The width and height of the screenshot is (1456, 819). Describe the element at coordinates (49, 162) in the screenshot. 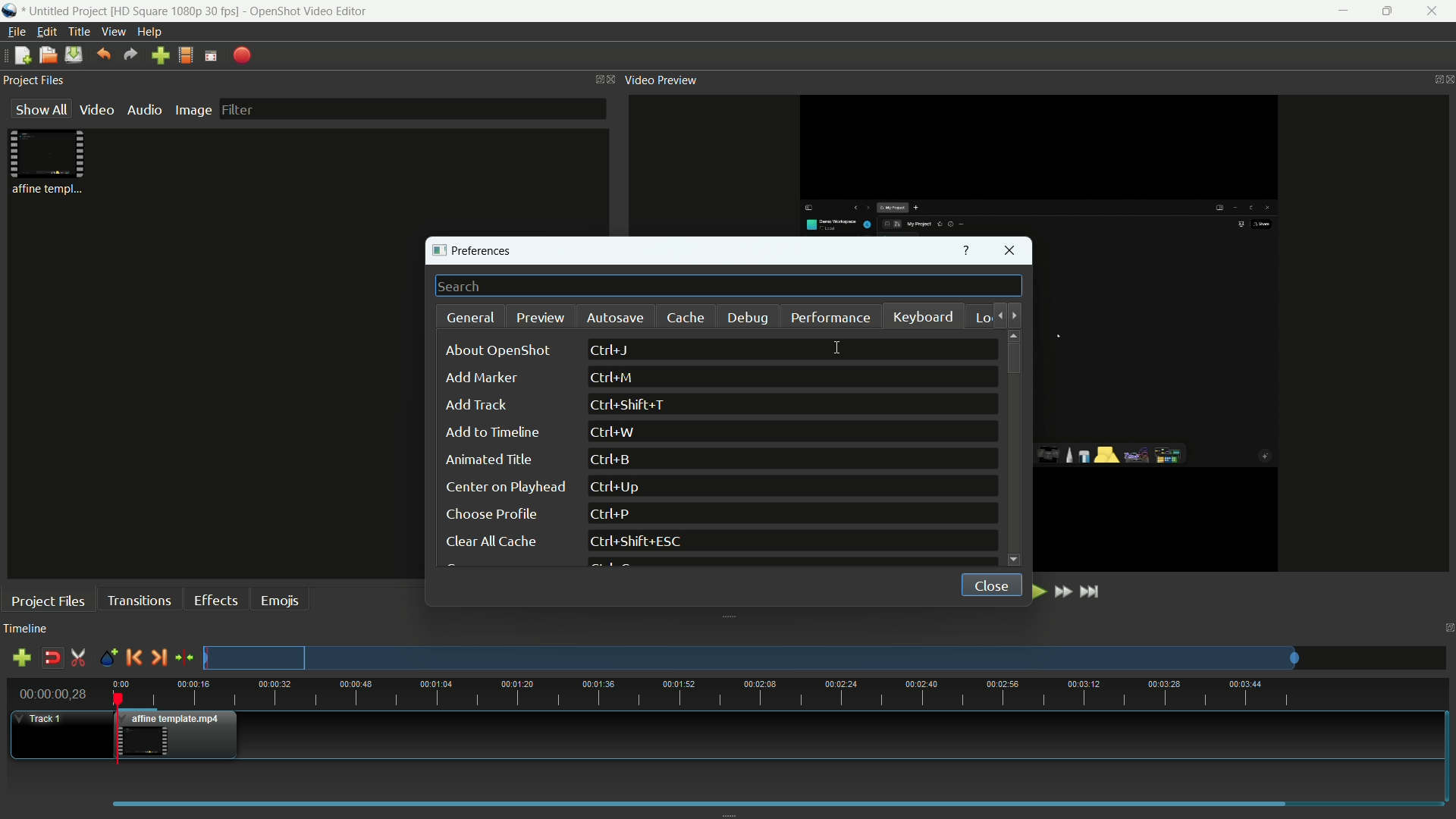

I see `project file` at that location.